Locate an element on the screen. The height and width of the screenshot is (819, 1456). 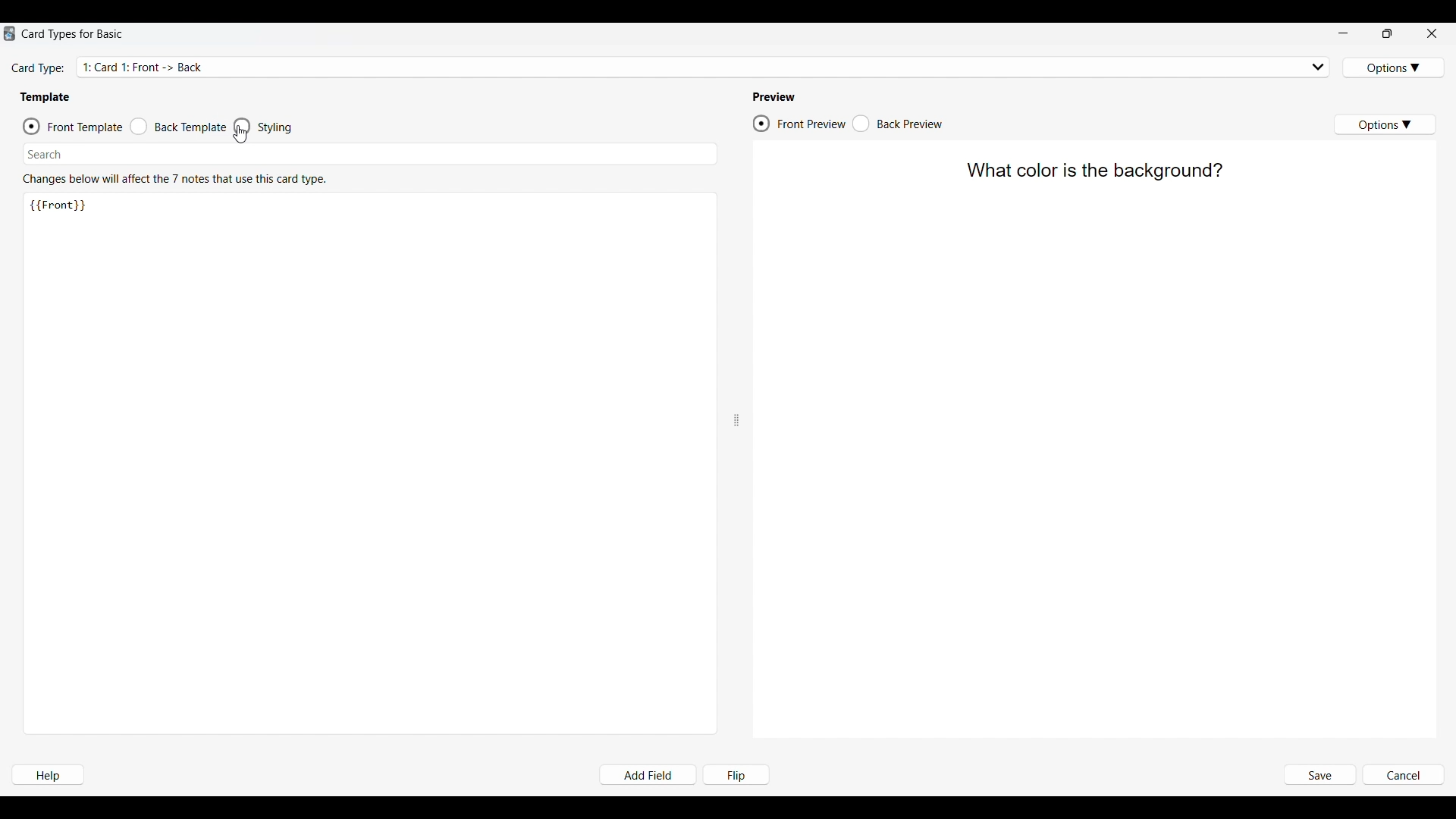
Add field is located at coordinates (648, 774).